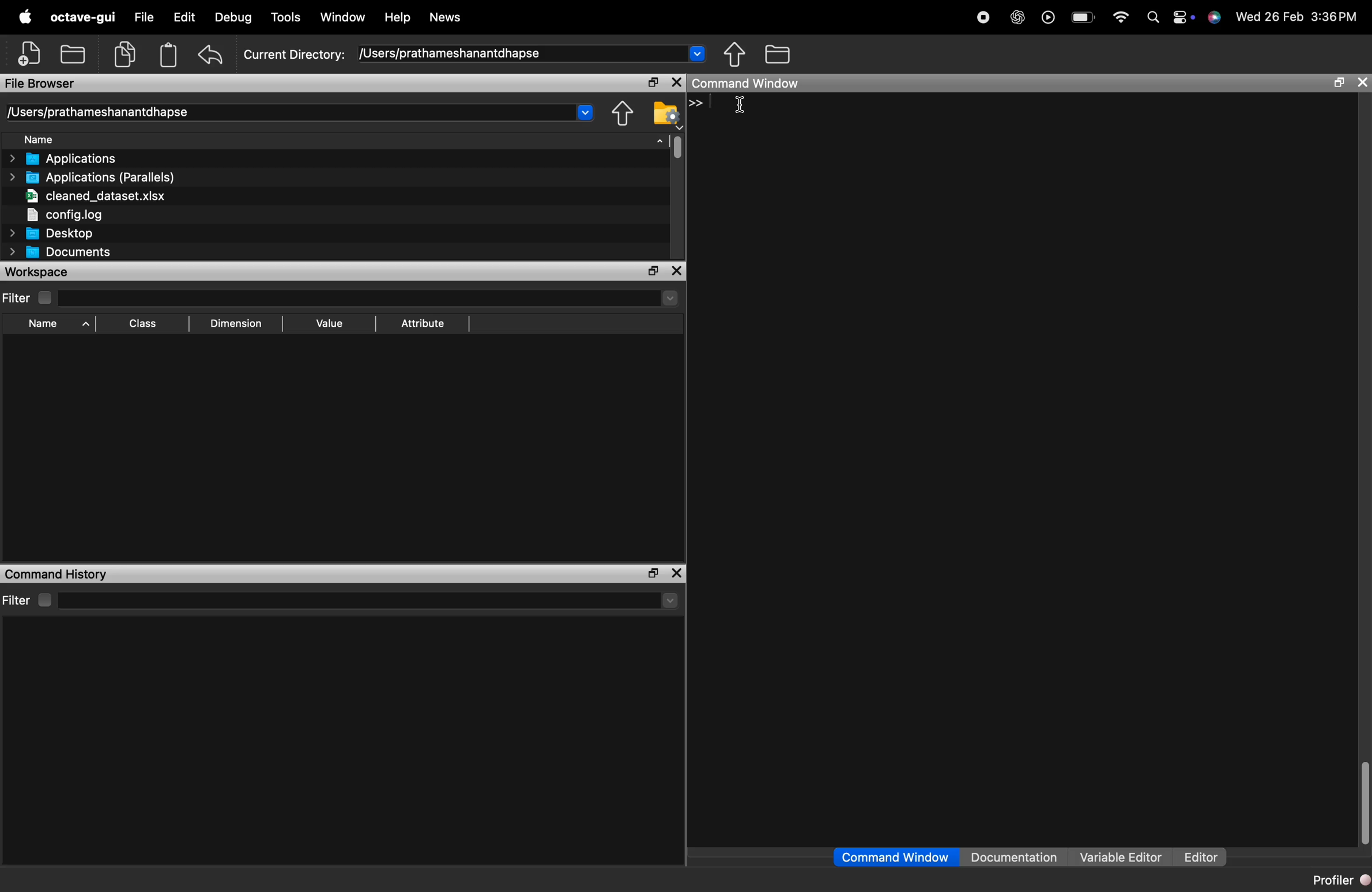 This screenshot has width=1372, height=892. I want to click on config.log, so click(64, 216).